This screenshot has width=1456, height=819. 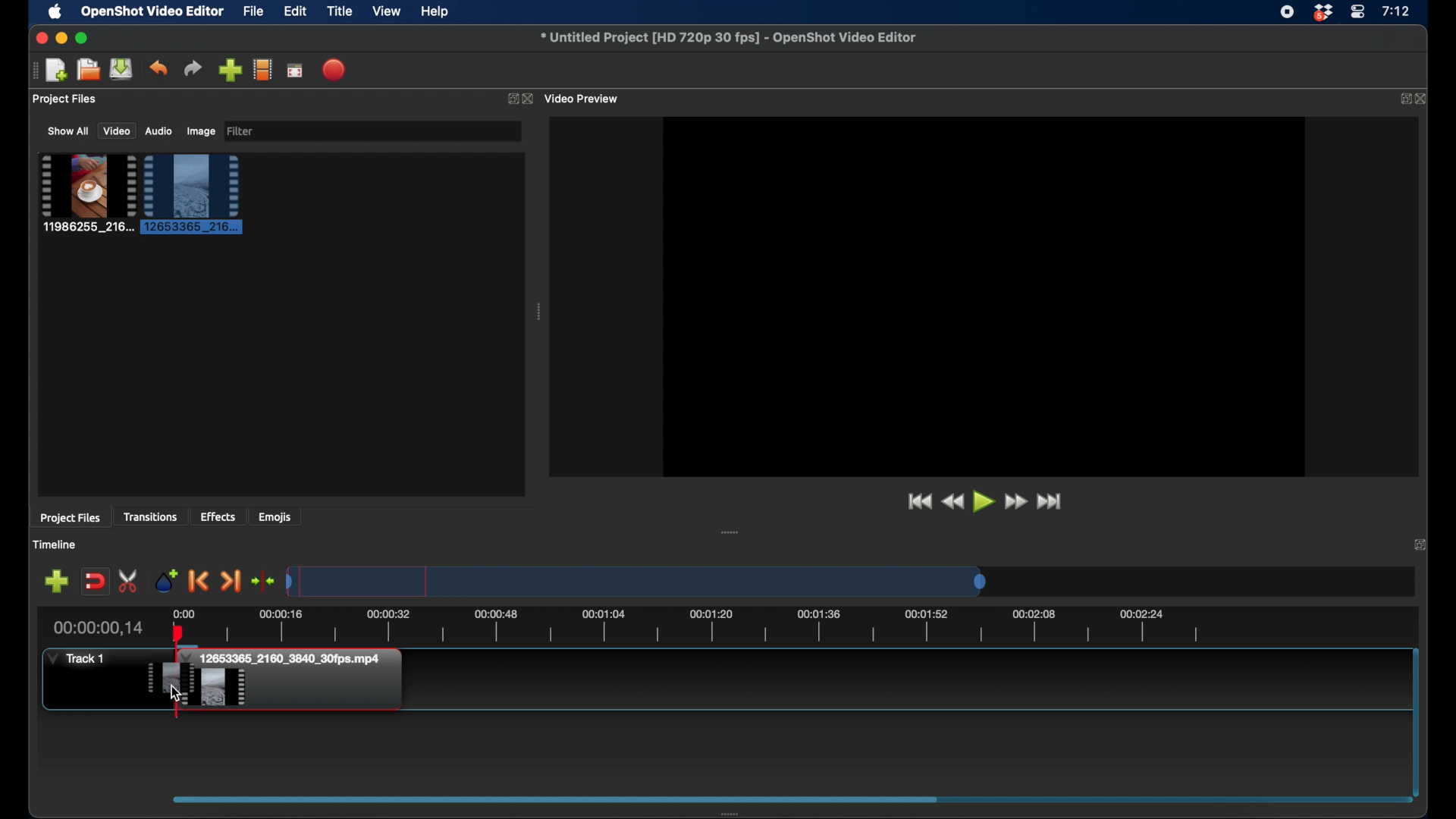 What do you see at coordinates (730, 532) in the screenshot?
I see `drag handle` at bounding box center [730, 532].